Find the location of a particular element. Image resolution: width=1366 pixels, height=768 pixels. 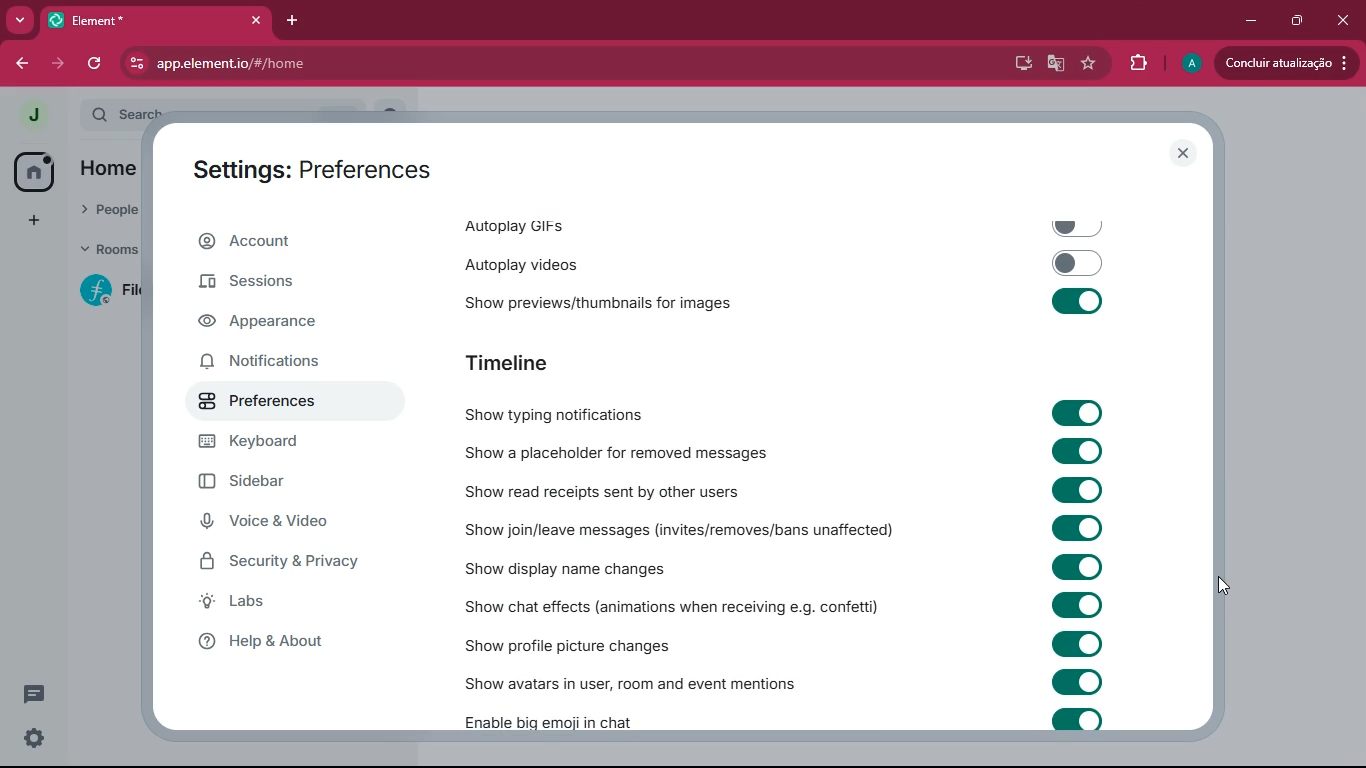

add is located at coordinates (30, 224).